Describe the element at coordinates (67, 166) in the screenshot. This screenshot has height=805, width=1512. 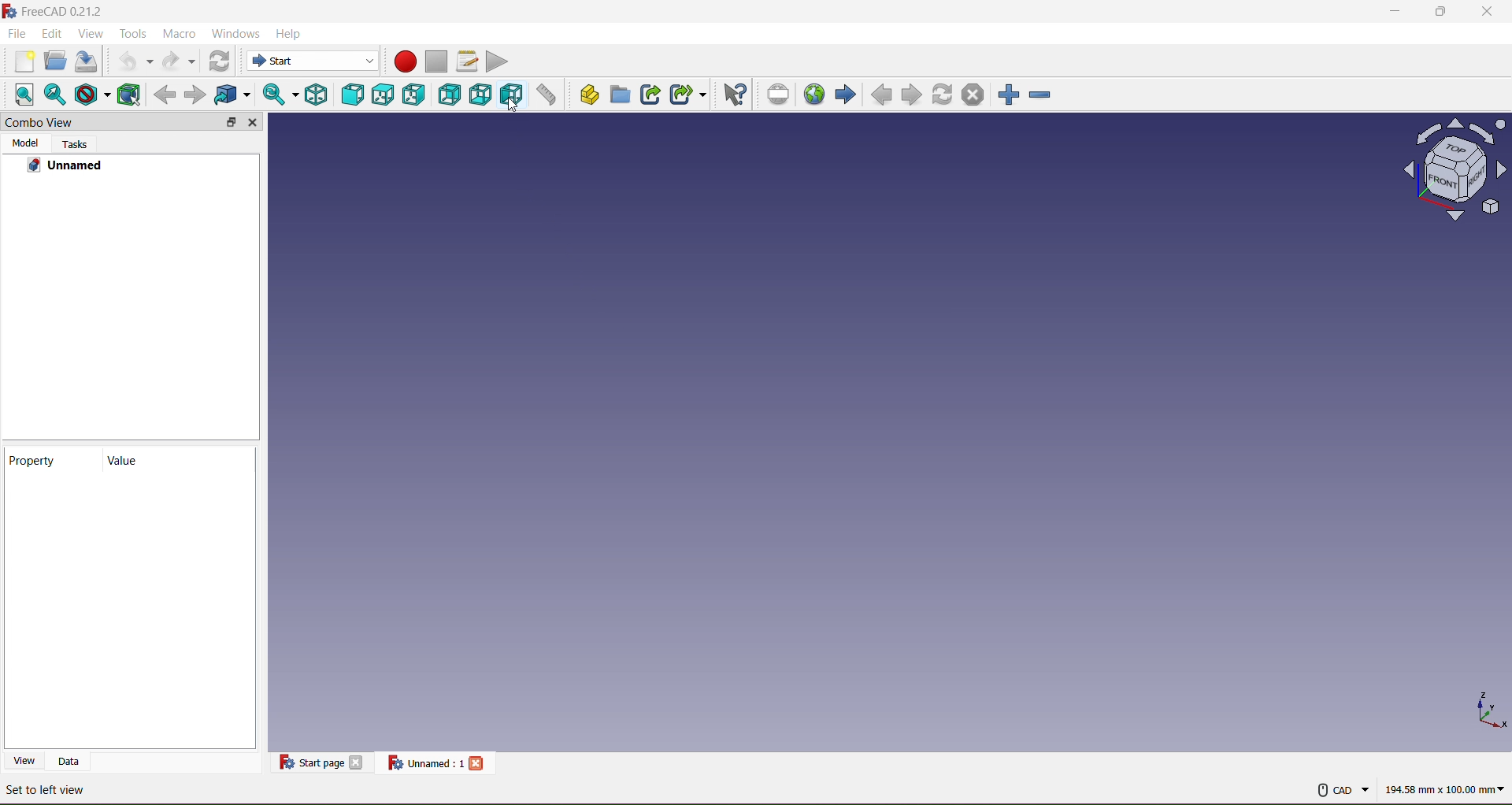
I see `Unnamed` at that location.